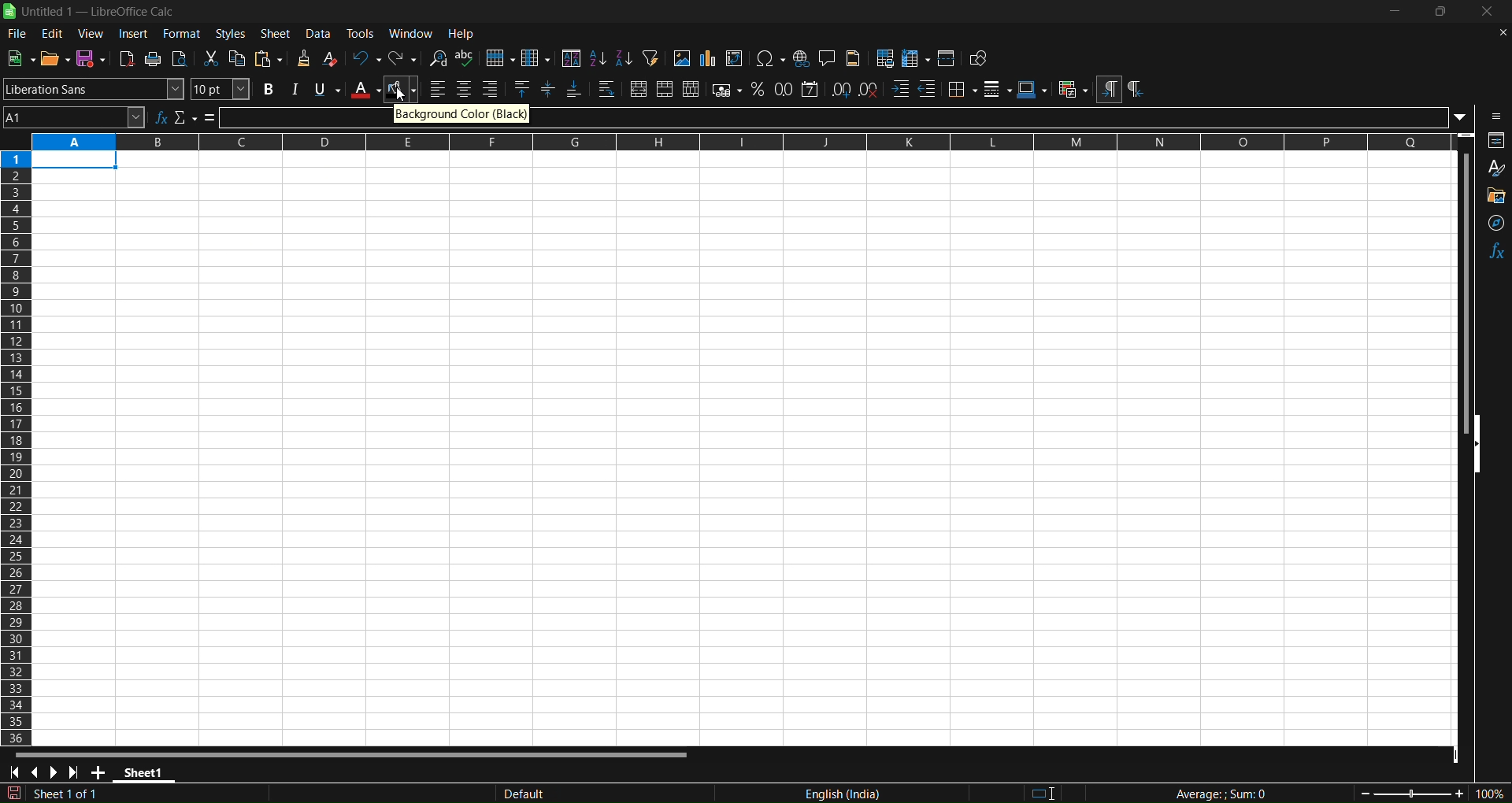 The height and width of the screenshot is (803, 1512). What do you see at coordinates (810, 90) in the screenshot?
I see `format as date` at bounding box center [810, 90].